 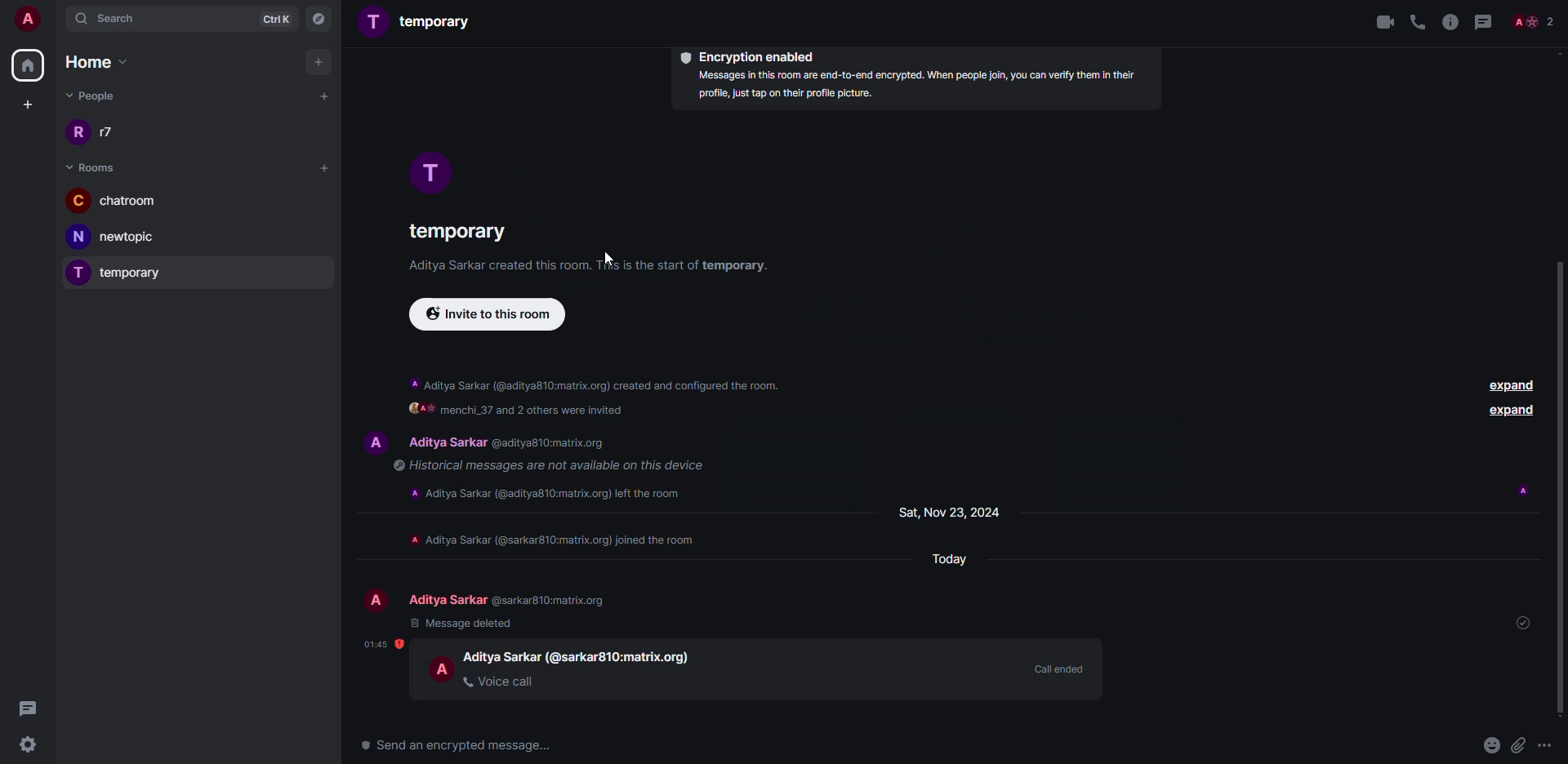 I want to click on info, so click(x=1450, y=22).